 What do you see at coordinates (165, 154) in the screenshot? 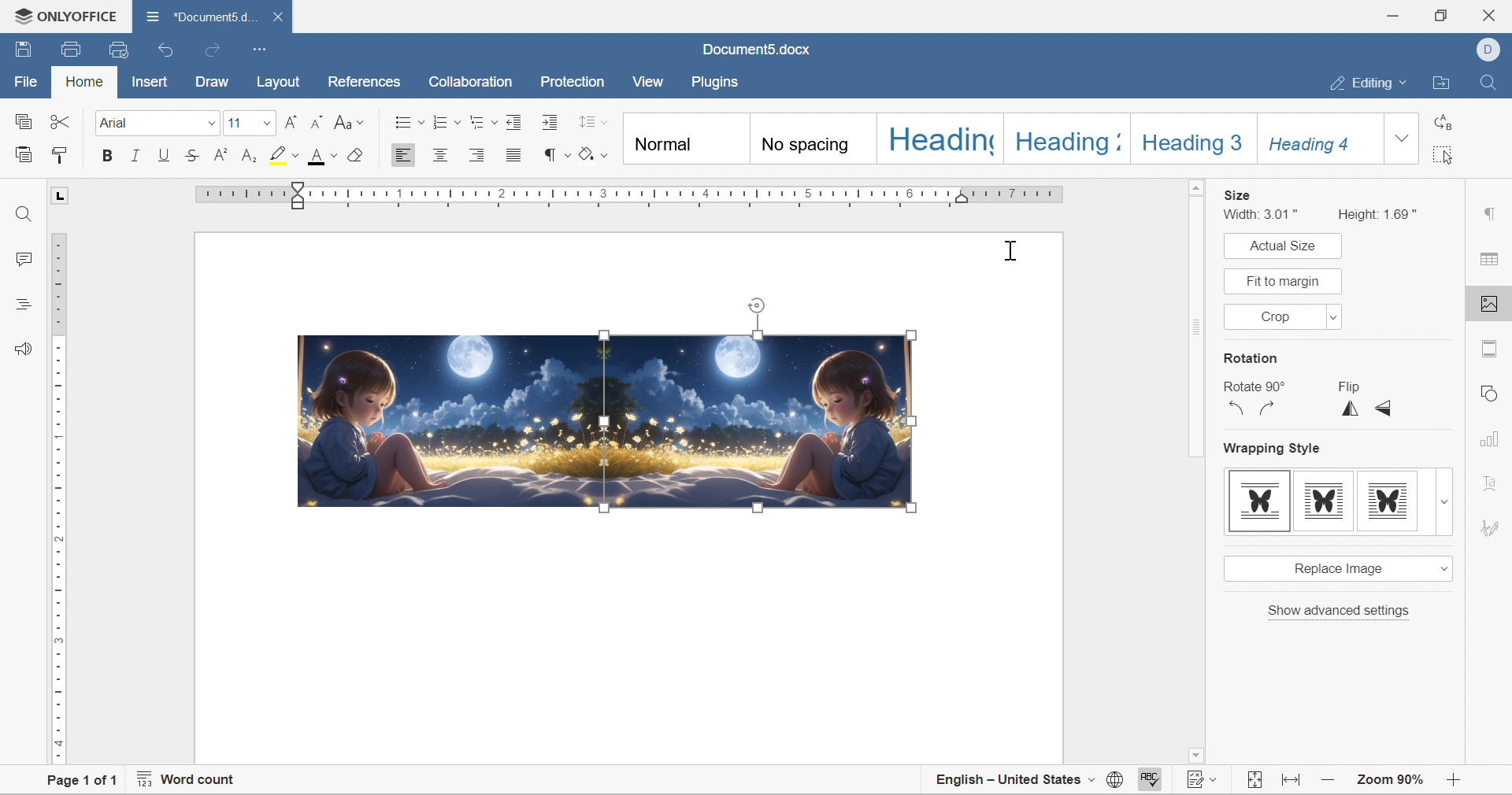
I see `underline` at bounding box center [165, 154].